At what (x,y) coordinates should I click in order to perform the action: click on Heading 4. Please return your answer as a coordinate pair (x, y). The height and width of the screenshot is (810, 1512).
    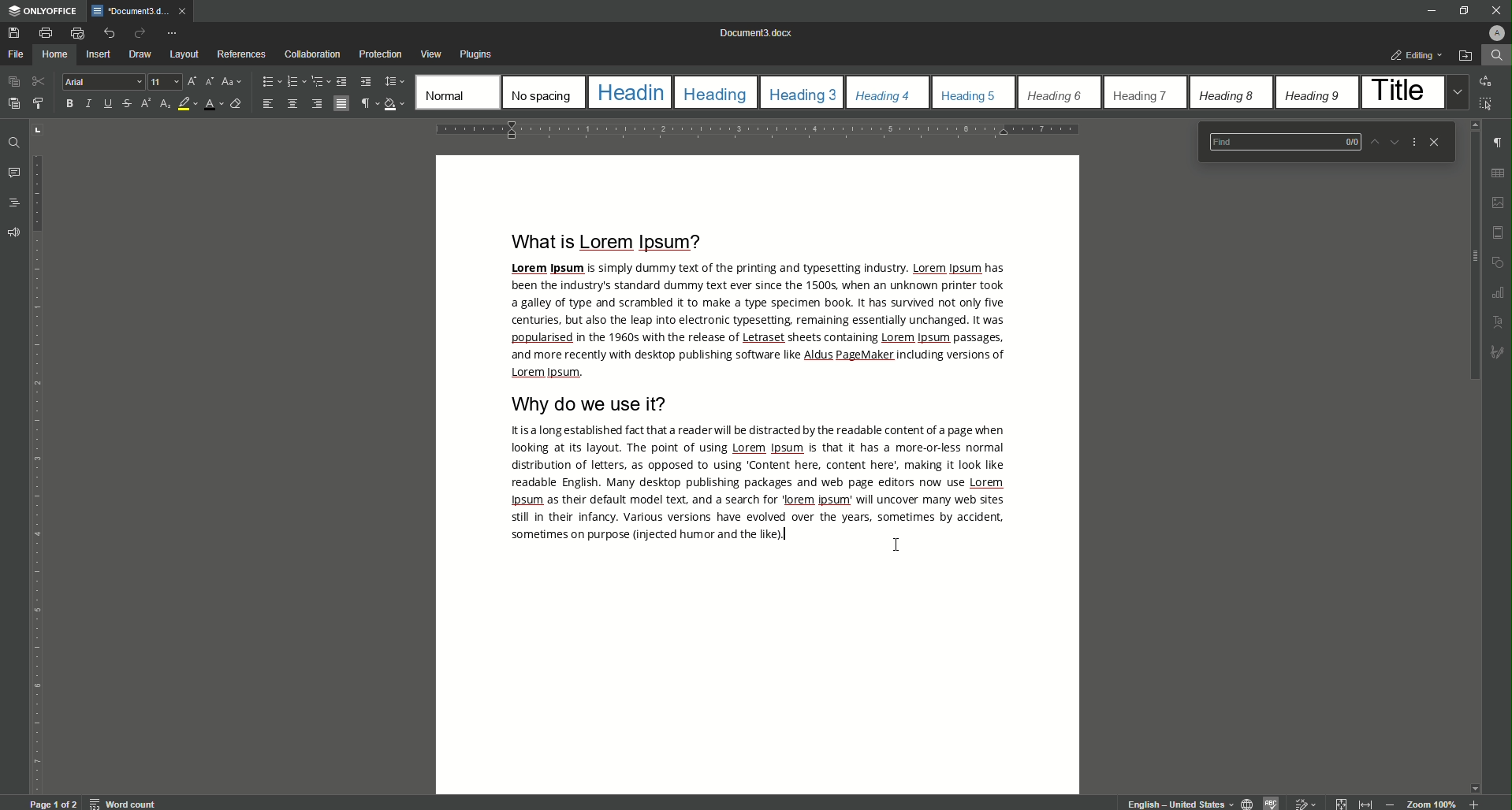
    Looking at the image, I should click on (883, 94).